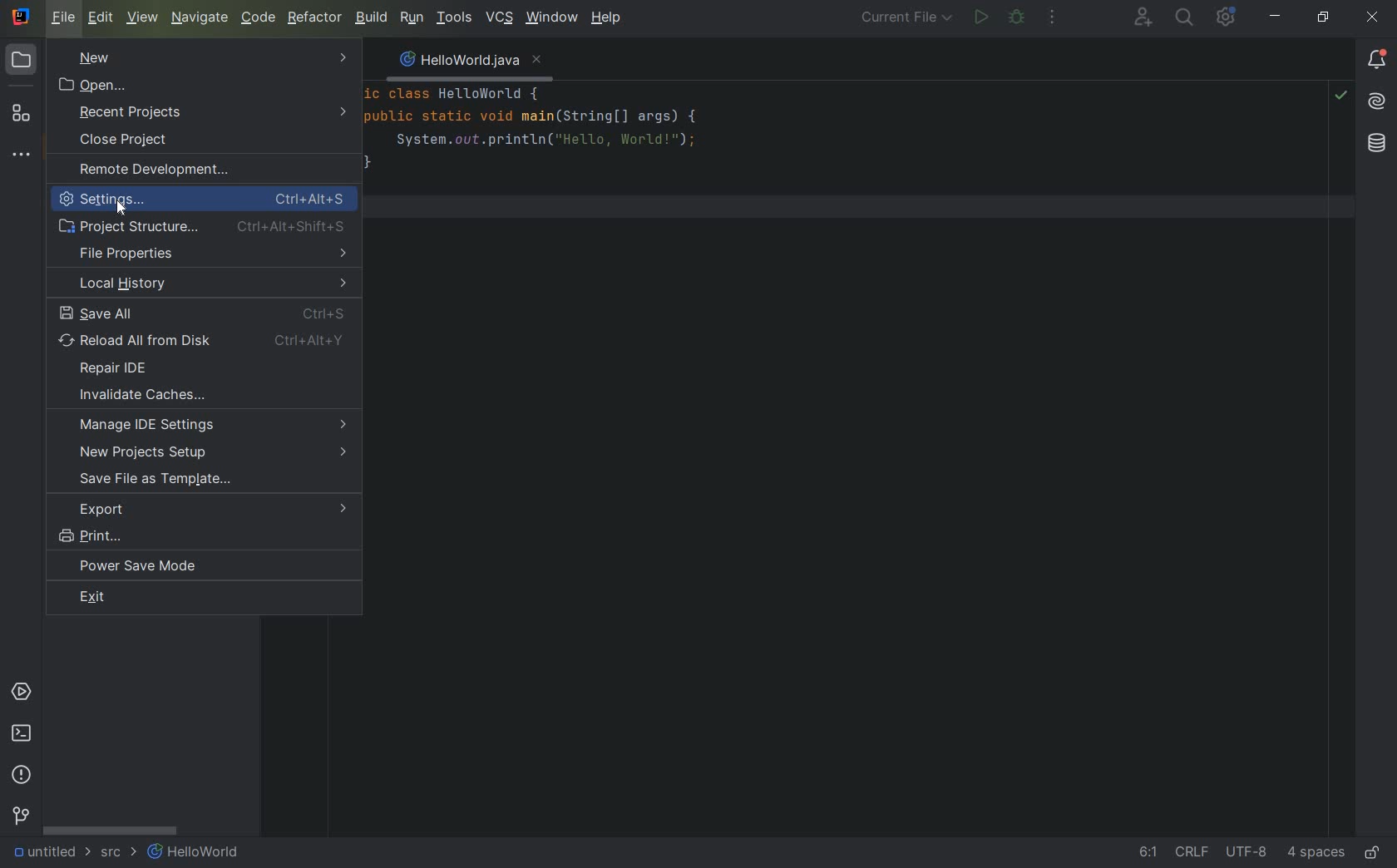 Image resolution: width=1397 pixels, height=868 pixels. I want to click on PROJECT STRUCTURES, so click(200, 226).